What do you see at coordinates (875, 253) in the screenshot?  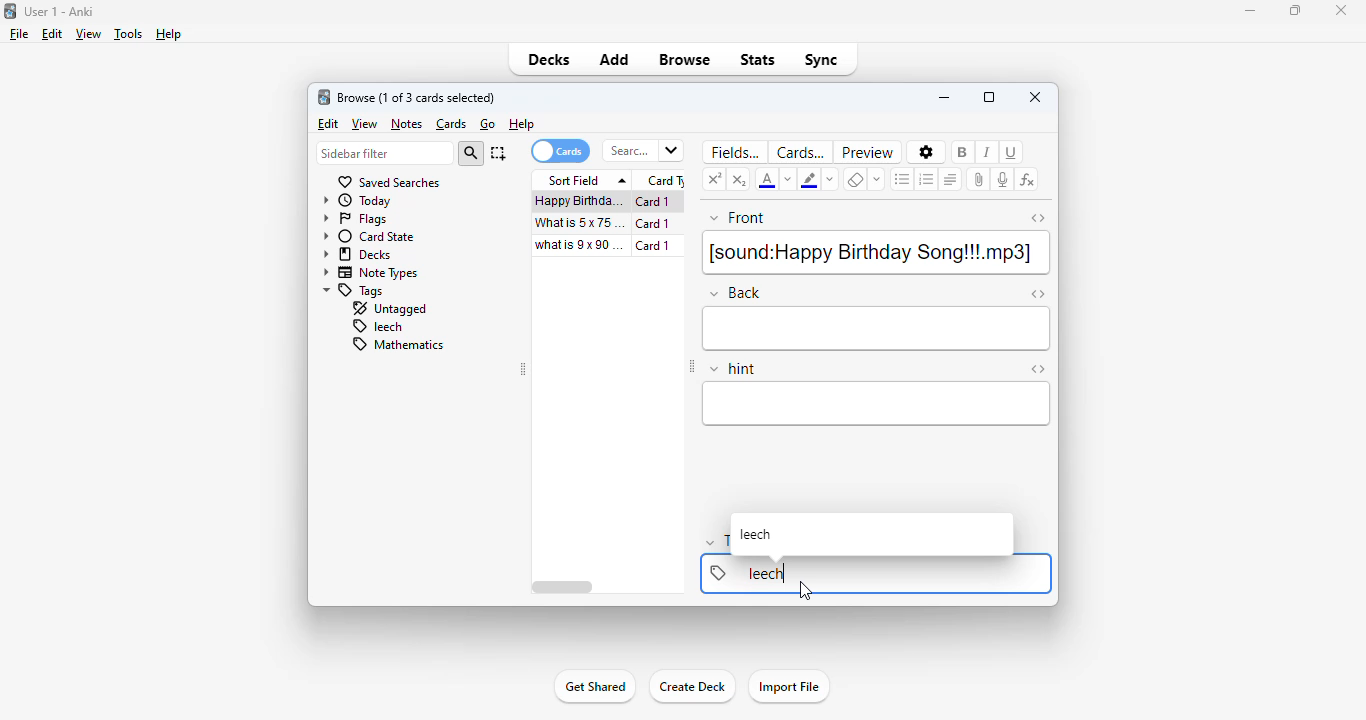 I see `[sound: Happy Birthday Song!!!.mp3}` at bounding box center [875, 253].